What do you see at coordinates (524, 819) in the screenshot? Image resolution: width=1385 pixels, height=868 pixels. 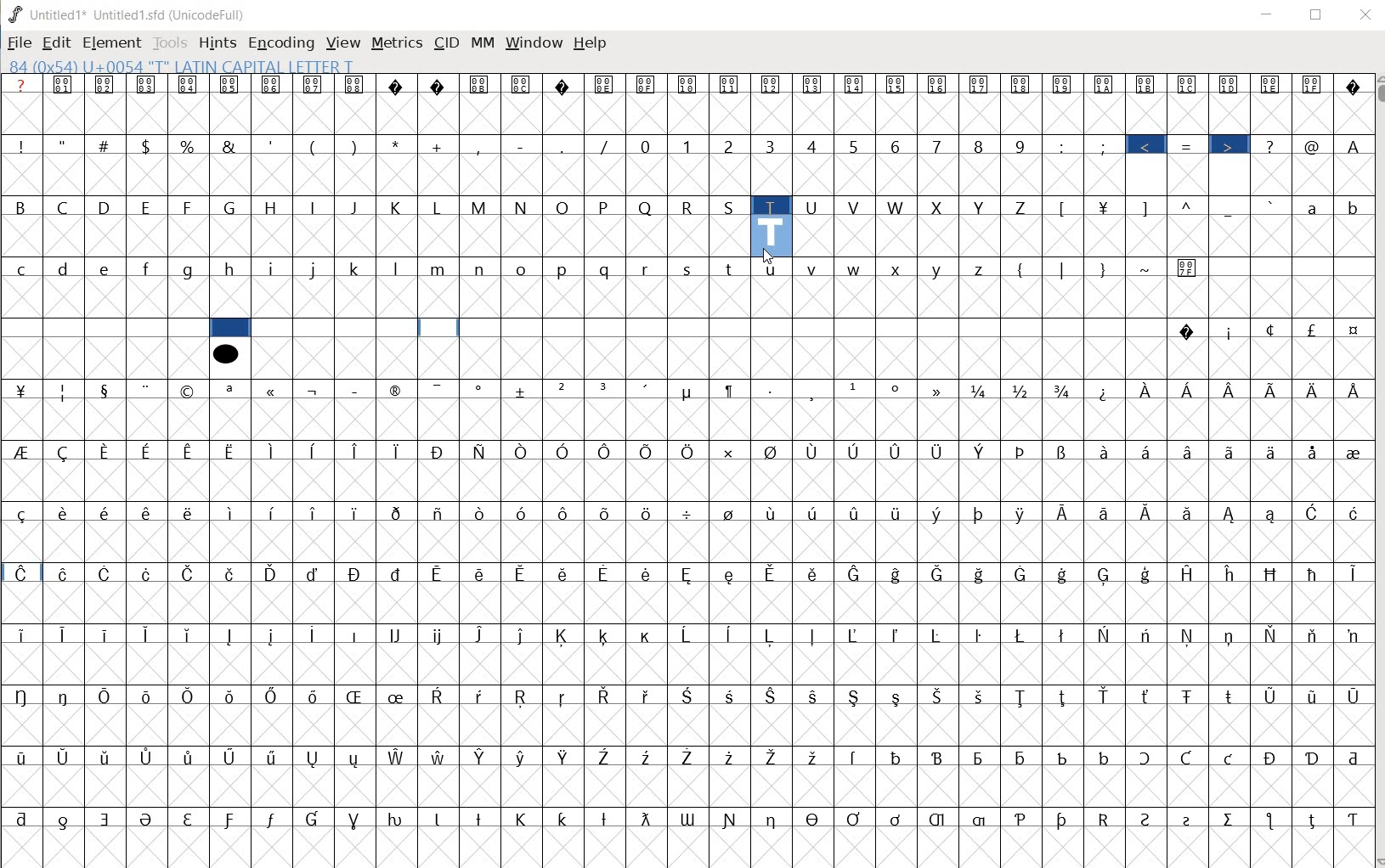 I see `Symbol` at bounding box center [524, 819].